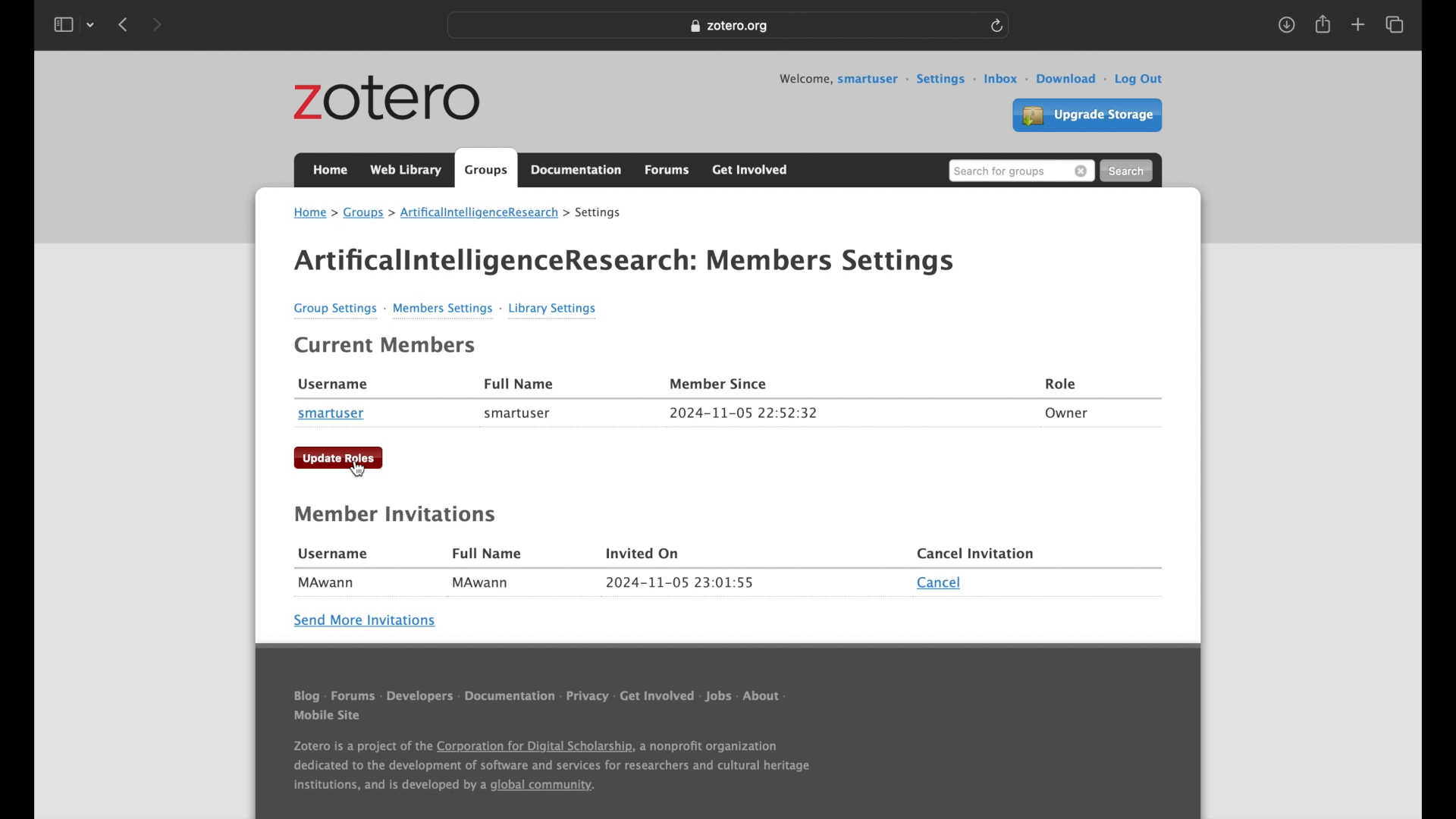  What do you see at coordinates (1062, 380) in the screenshot?
I see `Role` at bounding box center [1062, 380].